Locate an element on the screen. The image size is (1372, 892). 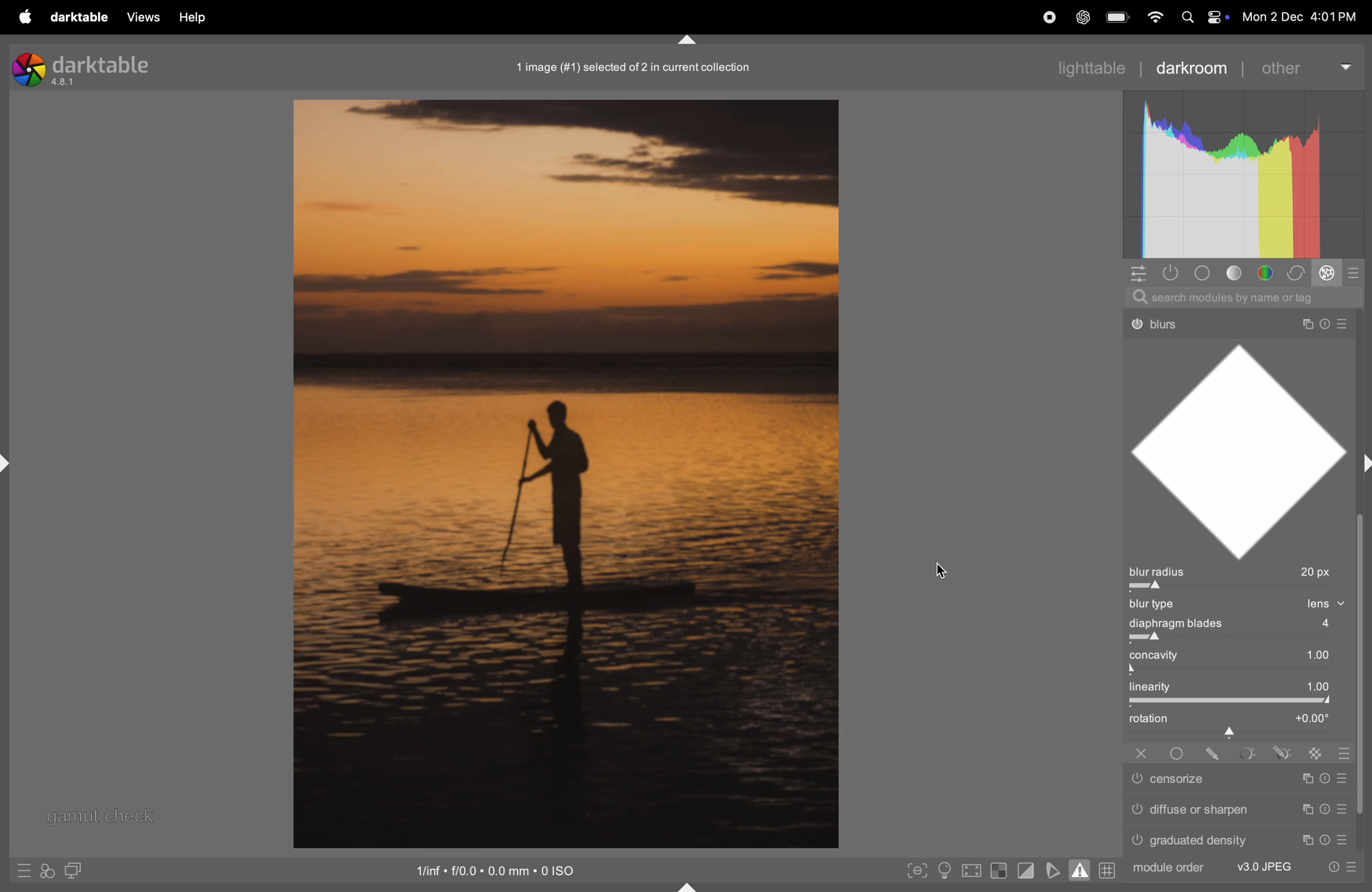
correct is located at coordinates (1299, 273).